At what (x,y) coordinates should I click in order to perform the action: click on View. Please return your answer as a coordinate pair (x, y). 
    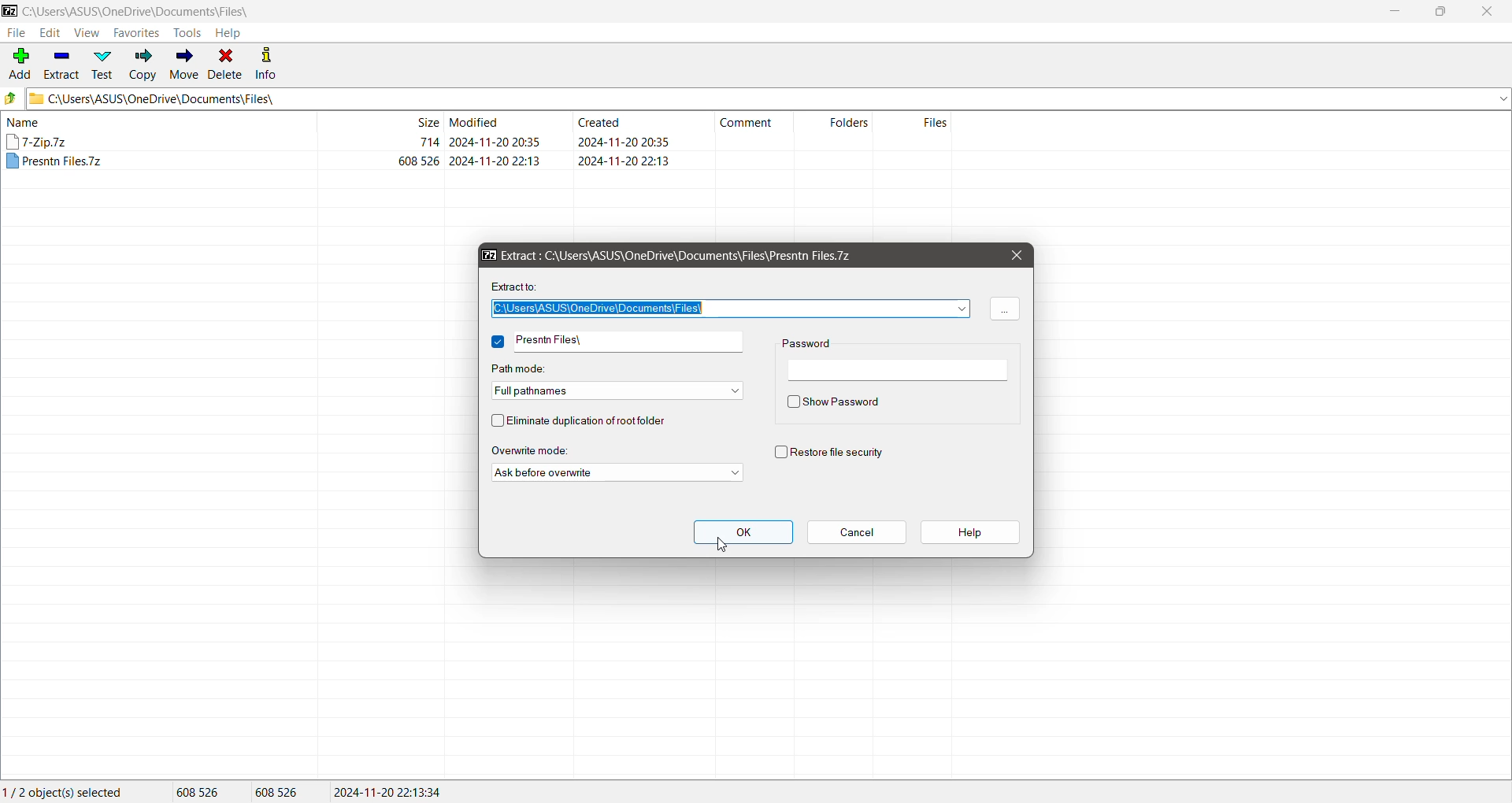
    Looking at the image, I should click on (87, 32).